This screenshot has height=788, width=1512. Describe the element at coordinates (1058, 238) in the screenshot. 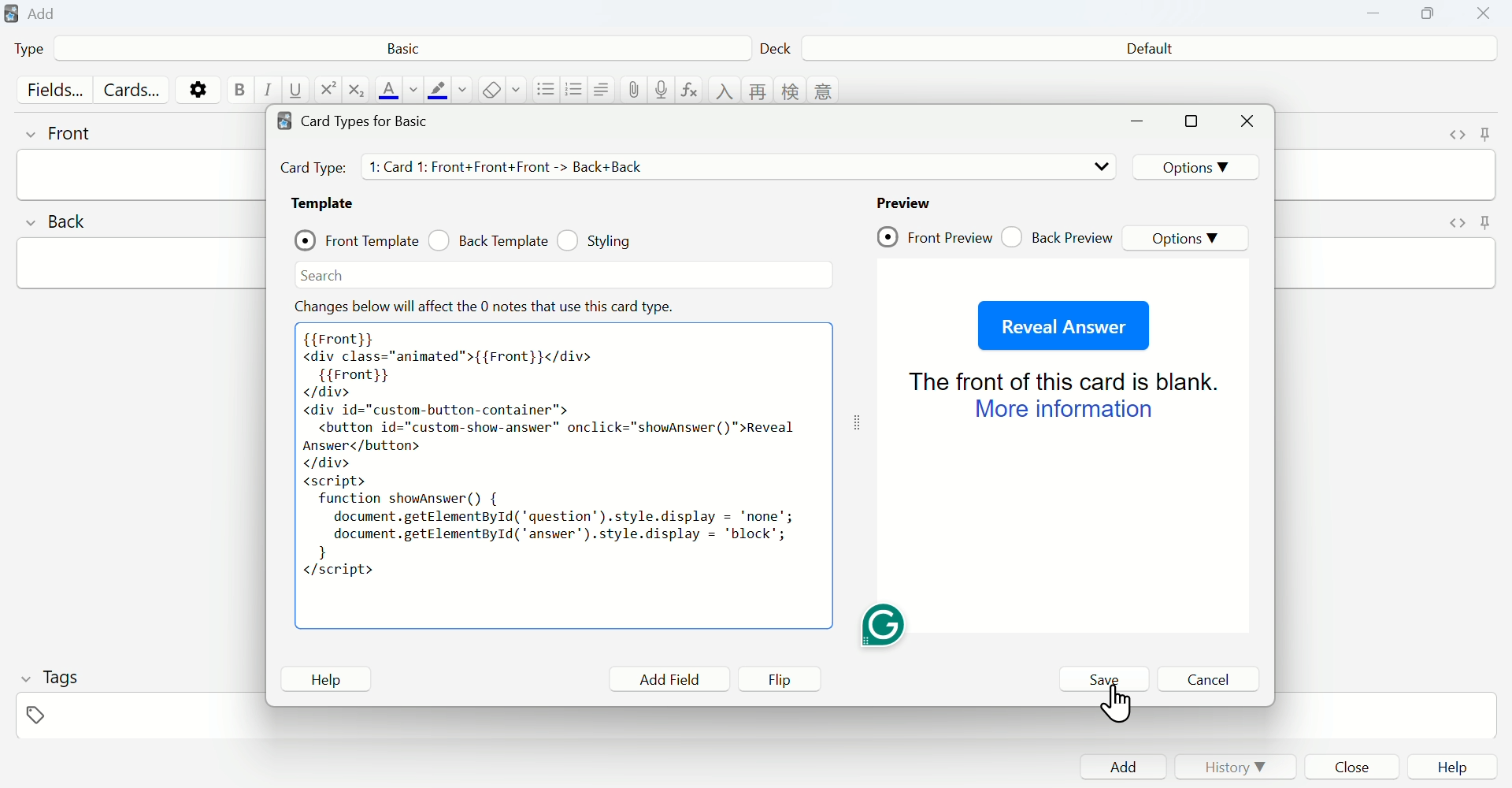

I see `Back Preview` at that location.